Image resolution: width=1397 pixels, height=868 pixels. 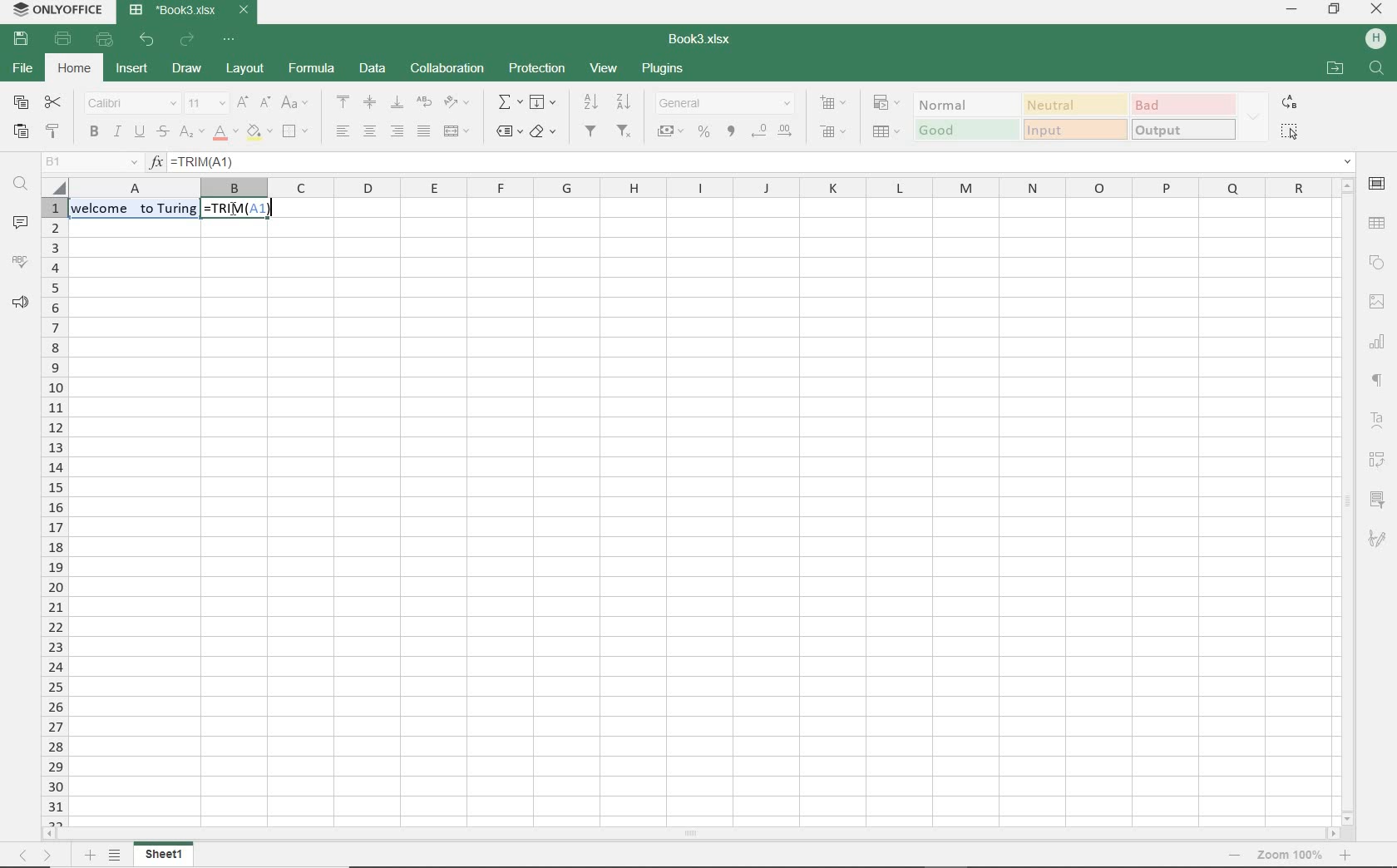 What do you see at coordinates (1290, 132) in the screenshot?
I see `SELECT ALL` at bounding box center [1290, 132].